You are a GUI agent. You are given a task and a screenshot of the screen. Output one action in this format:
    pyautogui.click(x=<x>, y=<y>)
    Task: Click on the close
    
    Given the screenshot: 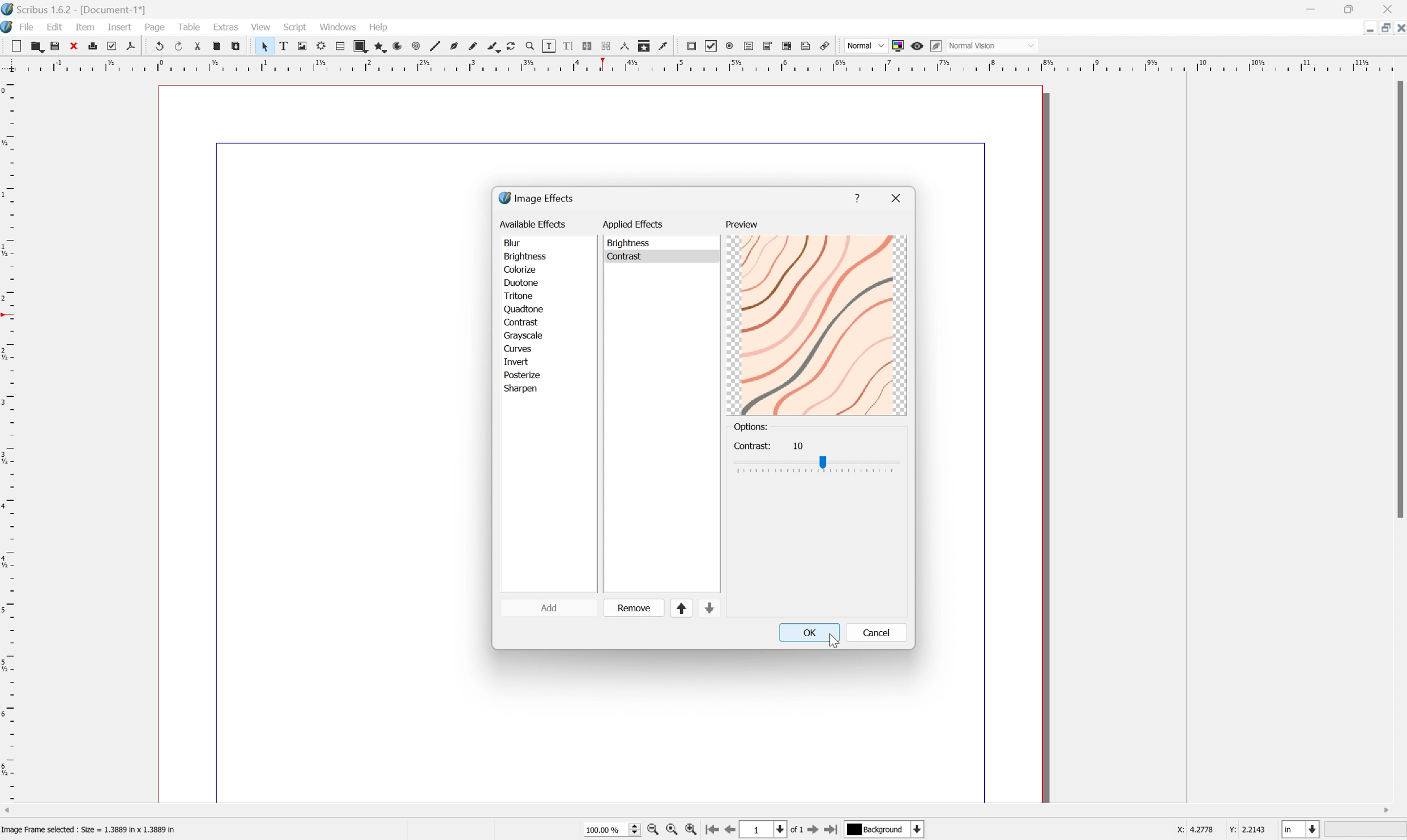 What is the action you would take?
    pyautogui.click(x=898, y=196)
    